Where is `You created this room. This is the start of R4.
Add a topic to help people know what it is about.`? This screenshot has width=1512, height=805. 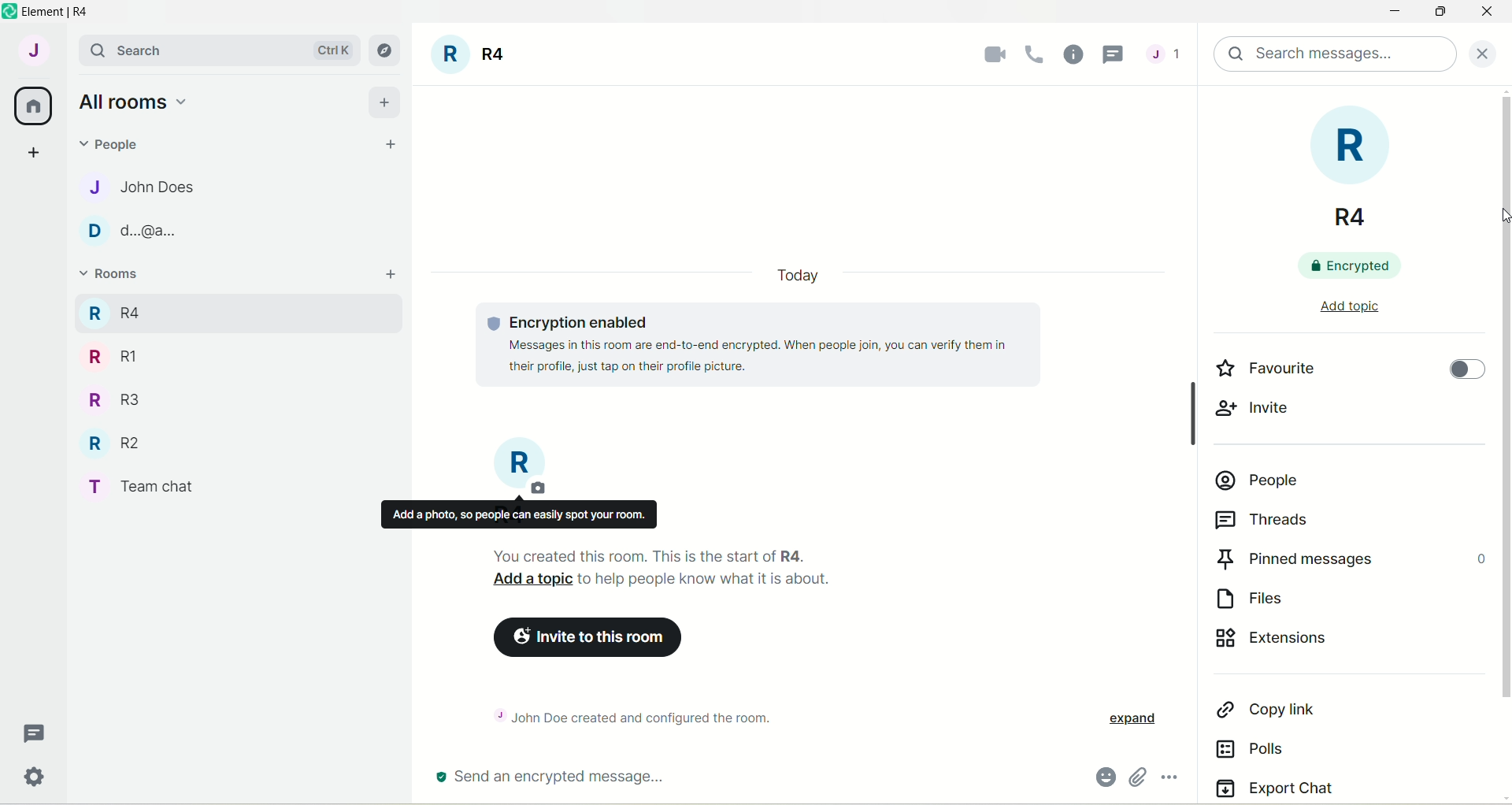
You created this room. This is the start of R4.
Add a topic to help people know what it is about. is located at coordinates (713, 569).